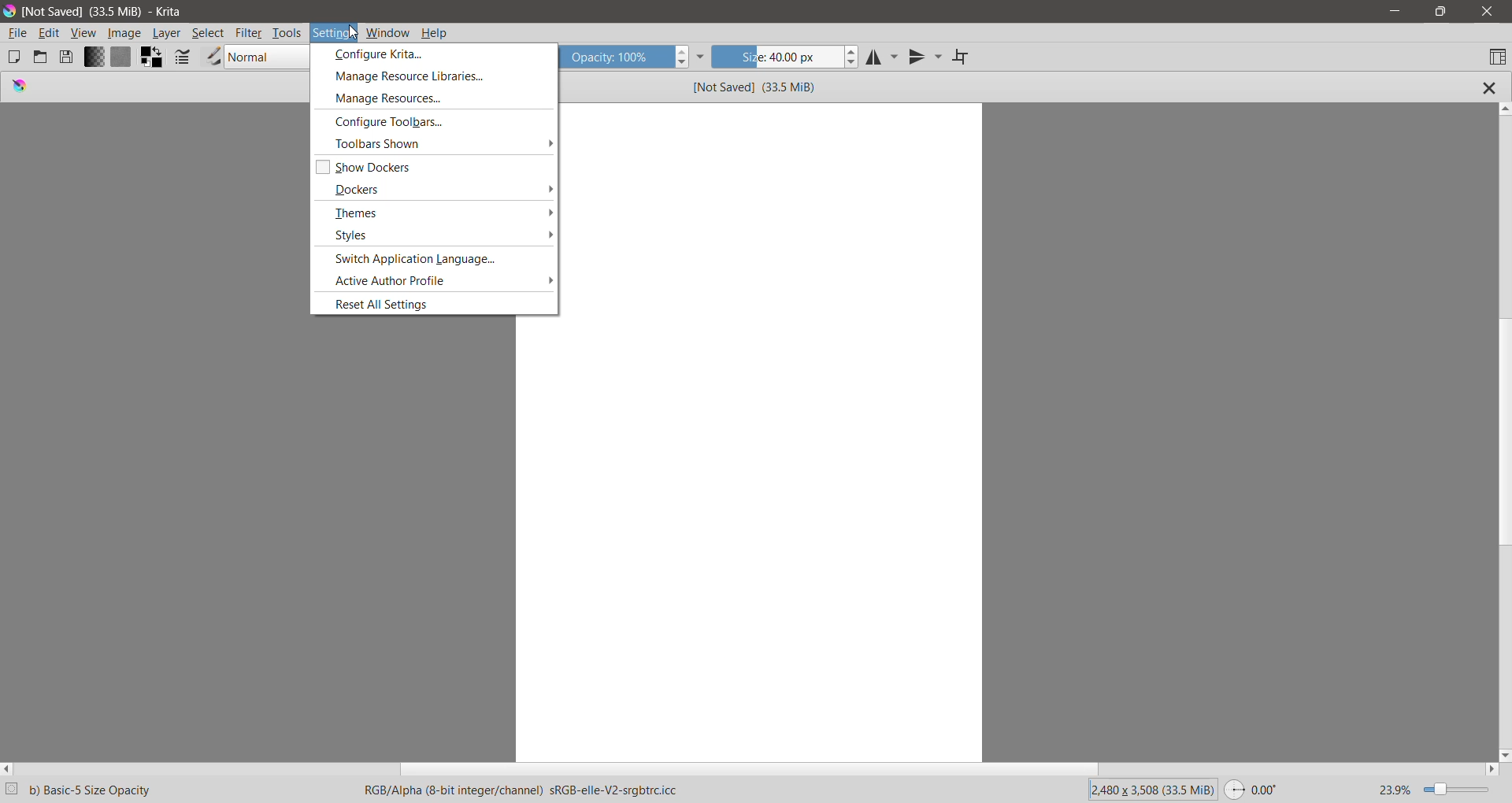 The height and width of the screenshot is (803, 1512). What do you see at coordinates (249, 31) in the screenshot?
I see `Filter` at bounding box center [249, 31].